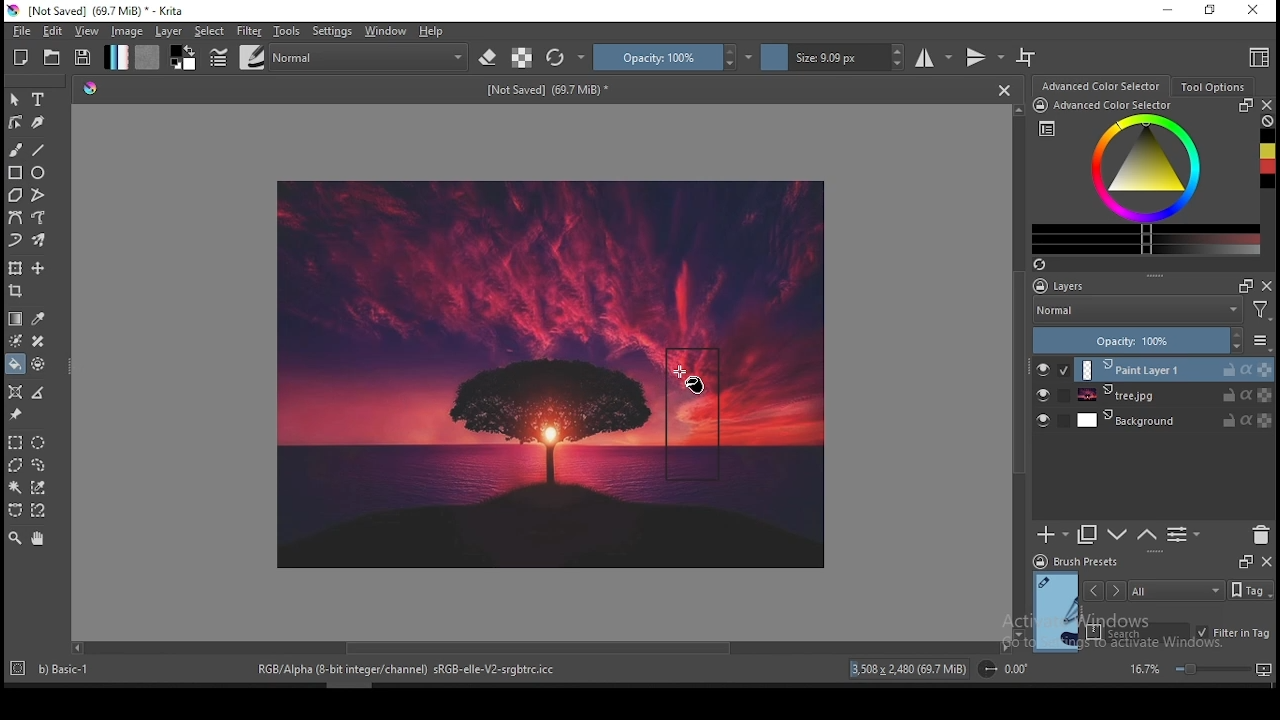 The image size is (1280, 720). What do you see at coordinates (16, 218) in the screenshot?
I see `bezier curve tool` at bounding box center [16, 218].